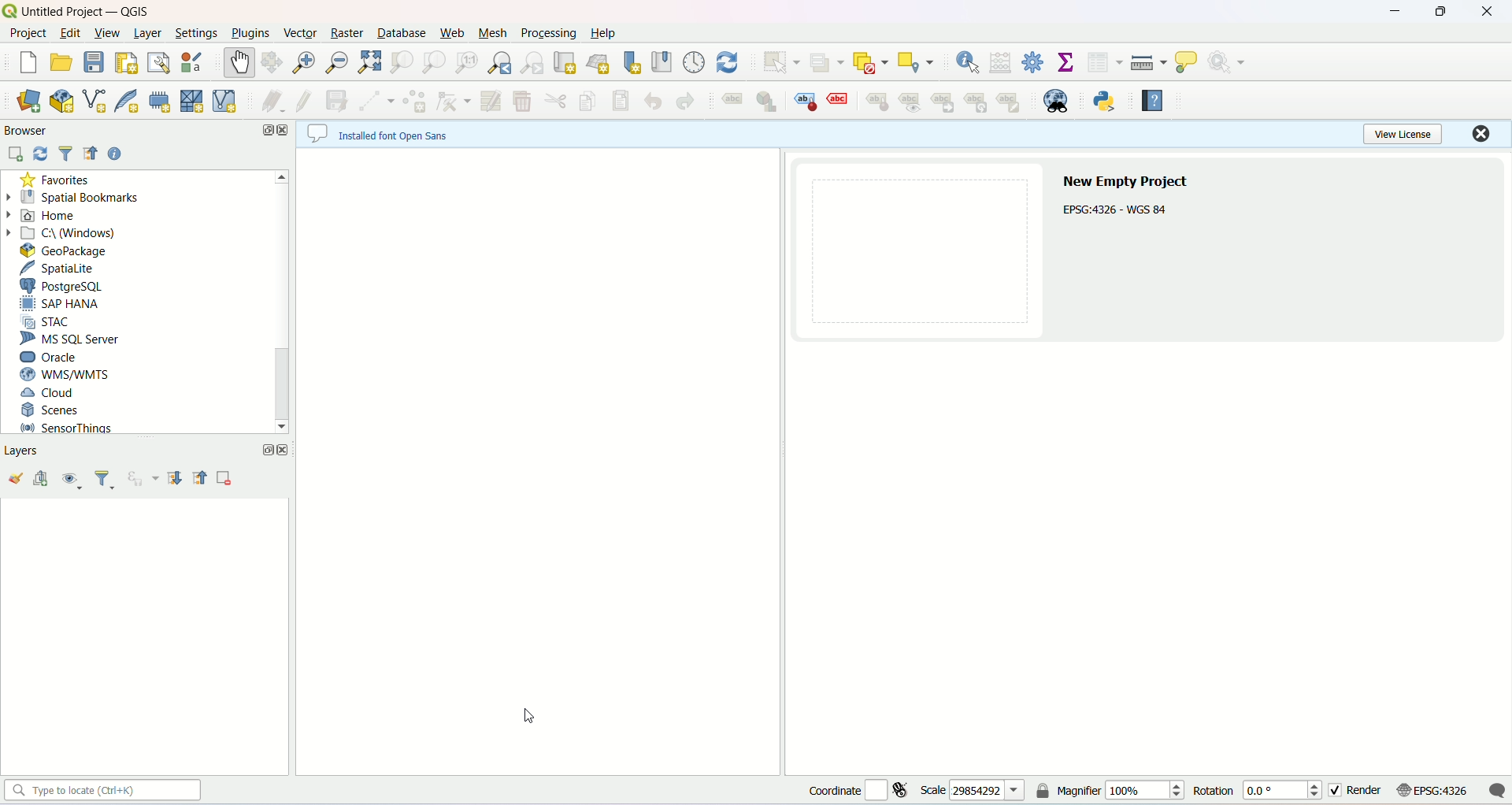 The width and height of the screenshot is (1512, 805). Describe the element at coordinates (91, 12) in the screenshot. I see `untitled Proiect — QGIS` at that location.